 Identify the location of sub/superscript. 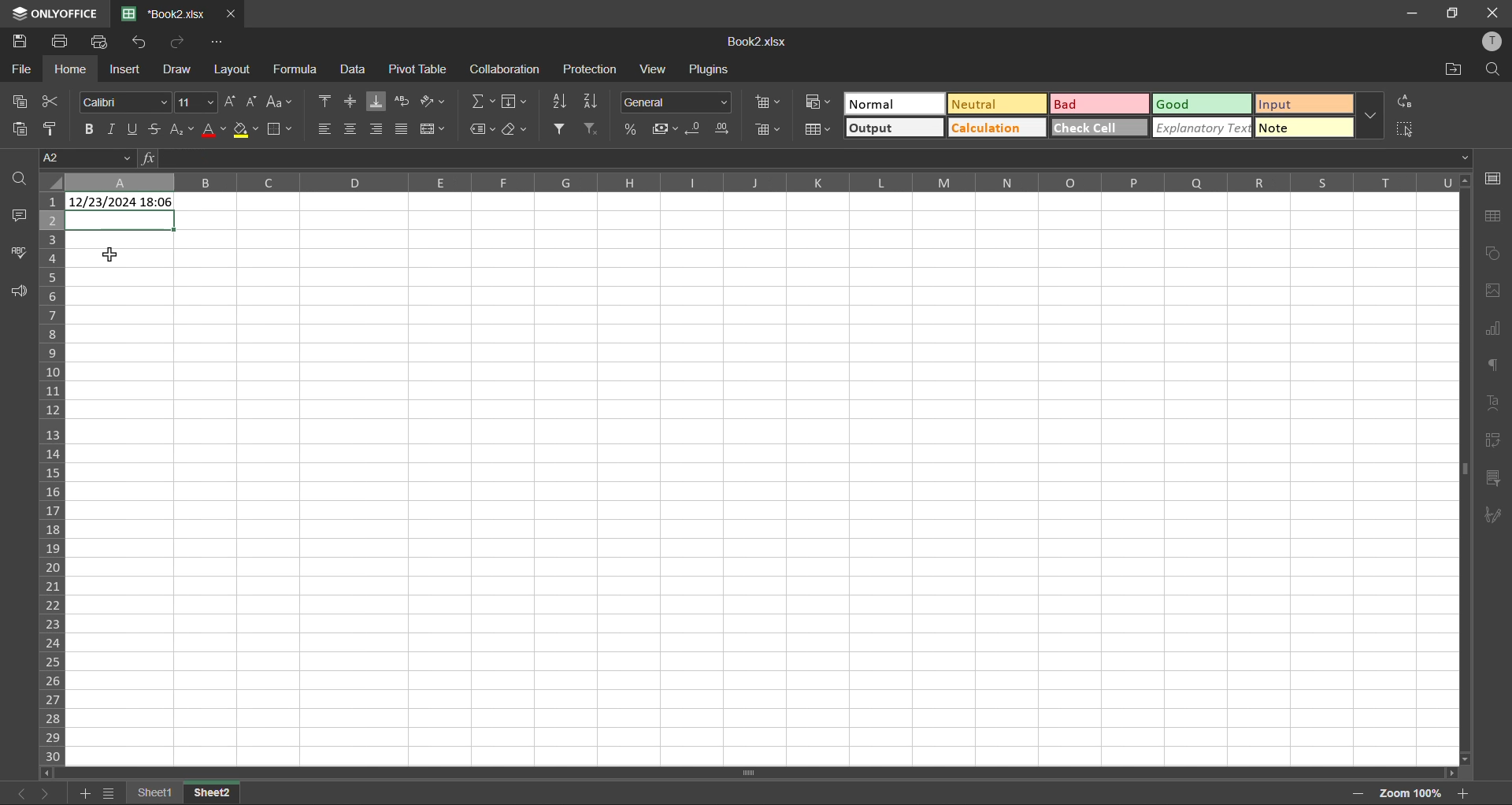
(180, 127).